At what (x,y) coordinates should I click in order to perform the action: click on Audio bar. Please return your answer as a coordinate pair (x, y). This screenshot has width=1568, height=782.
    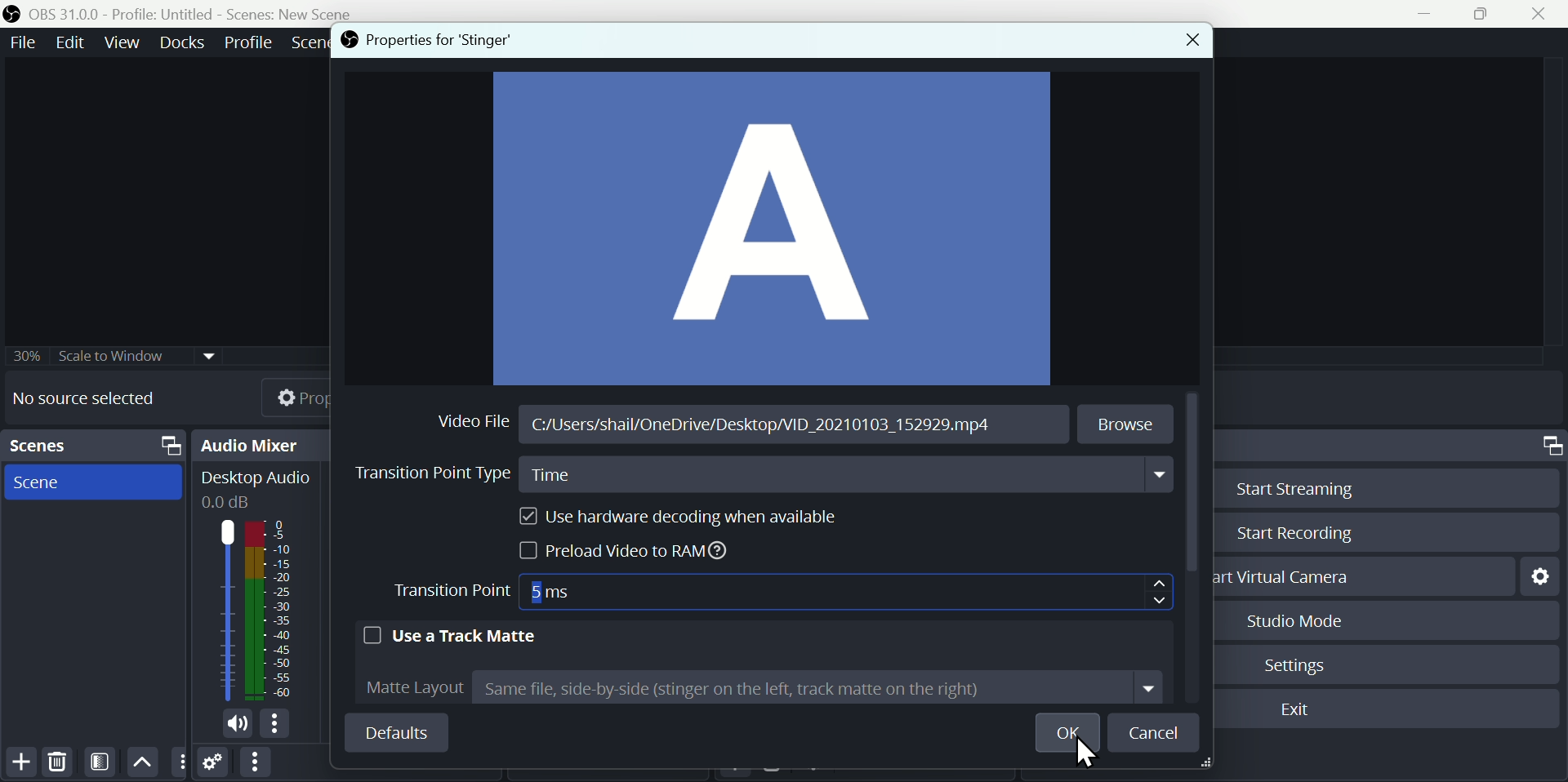
    Looking at the image, I should click on (253, 610).